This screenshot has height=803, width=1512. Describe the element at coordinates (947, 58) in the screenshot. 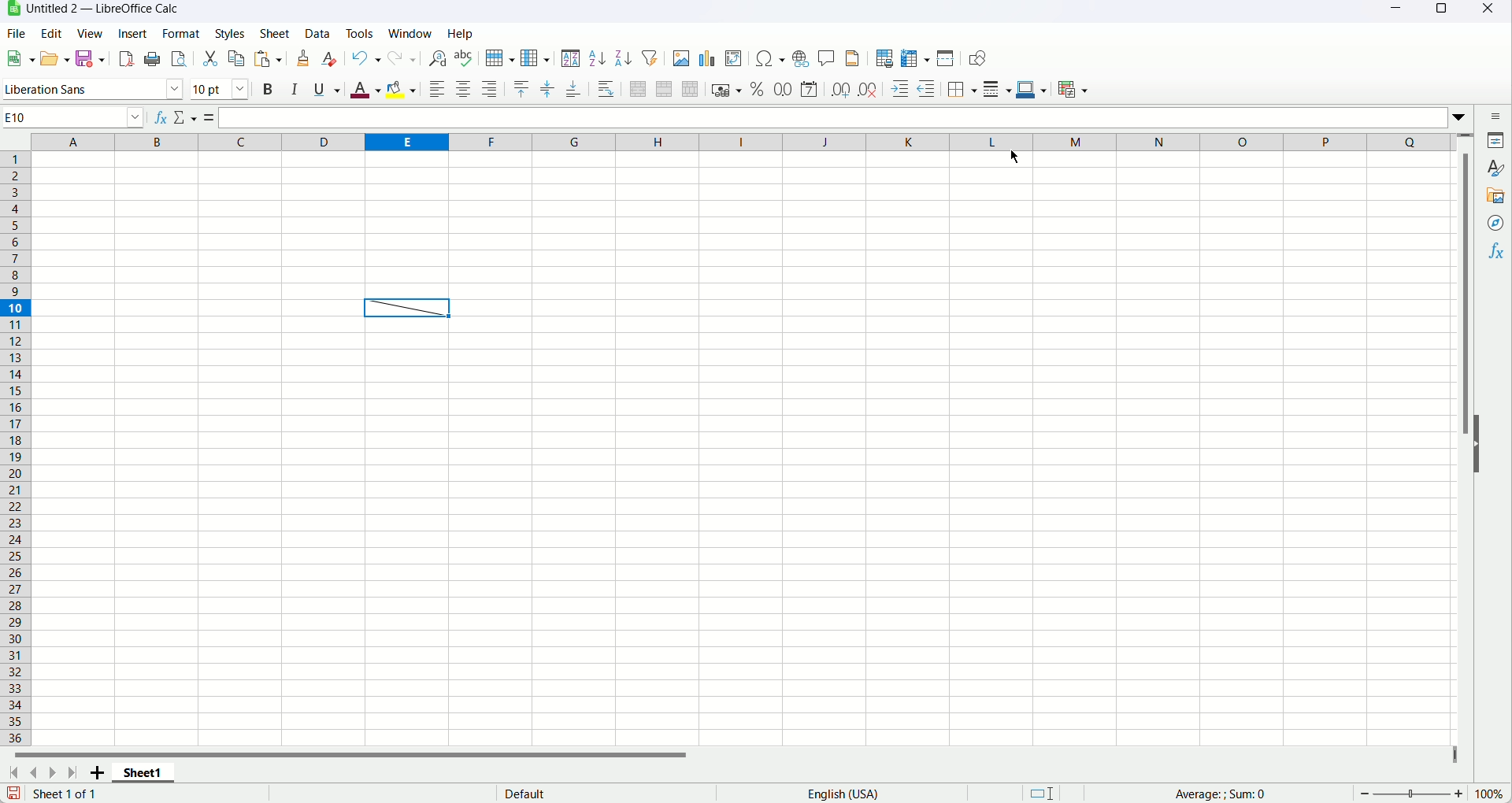

I see `Split window` at that location.